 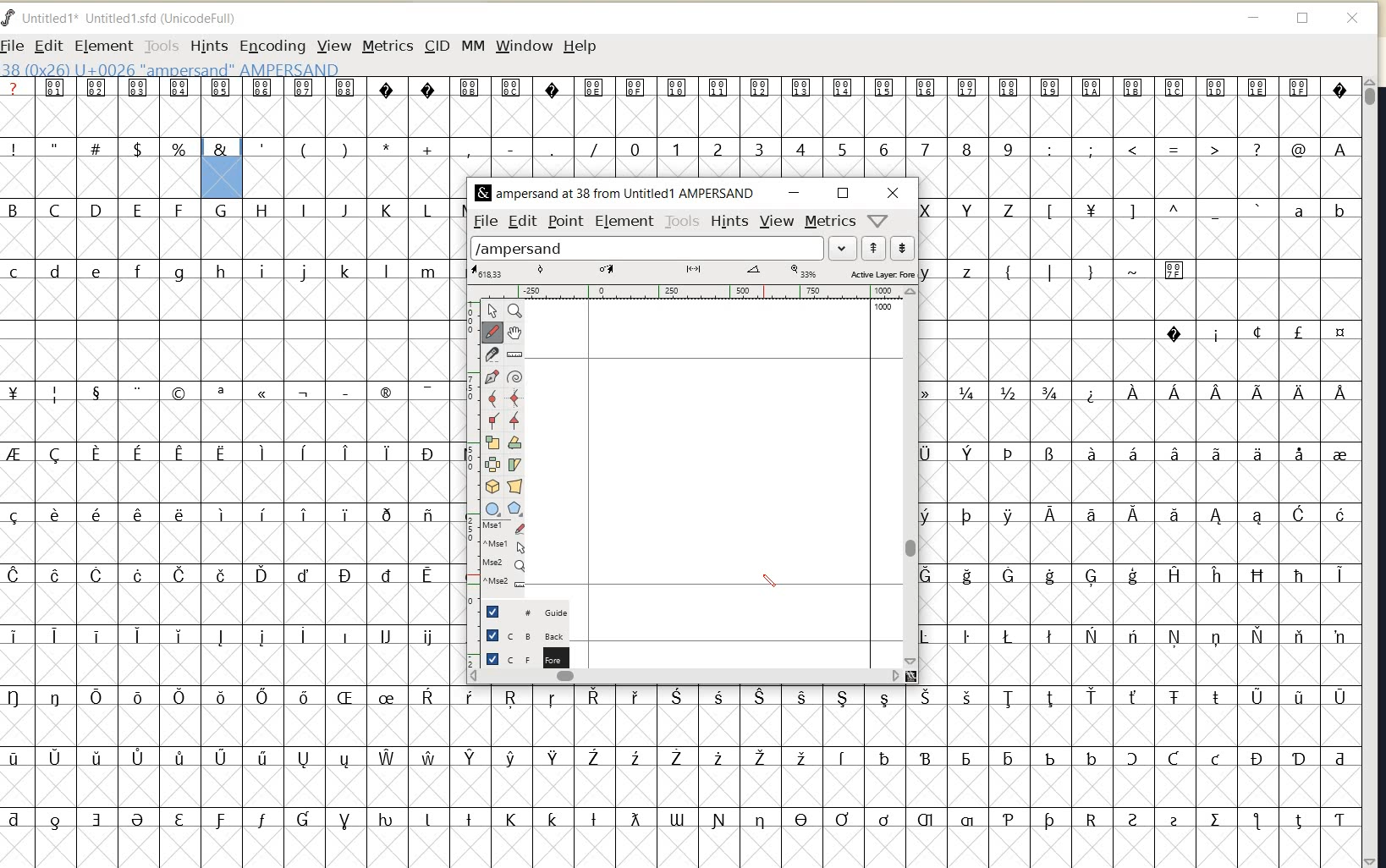 What do you see at coordinates (208, 47) in the screenshot?
I see `HINTS` at bounding box center [208, 47].